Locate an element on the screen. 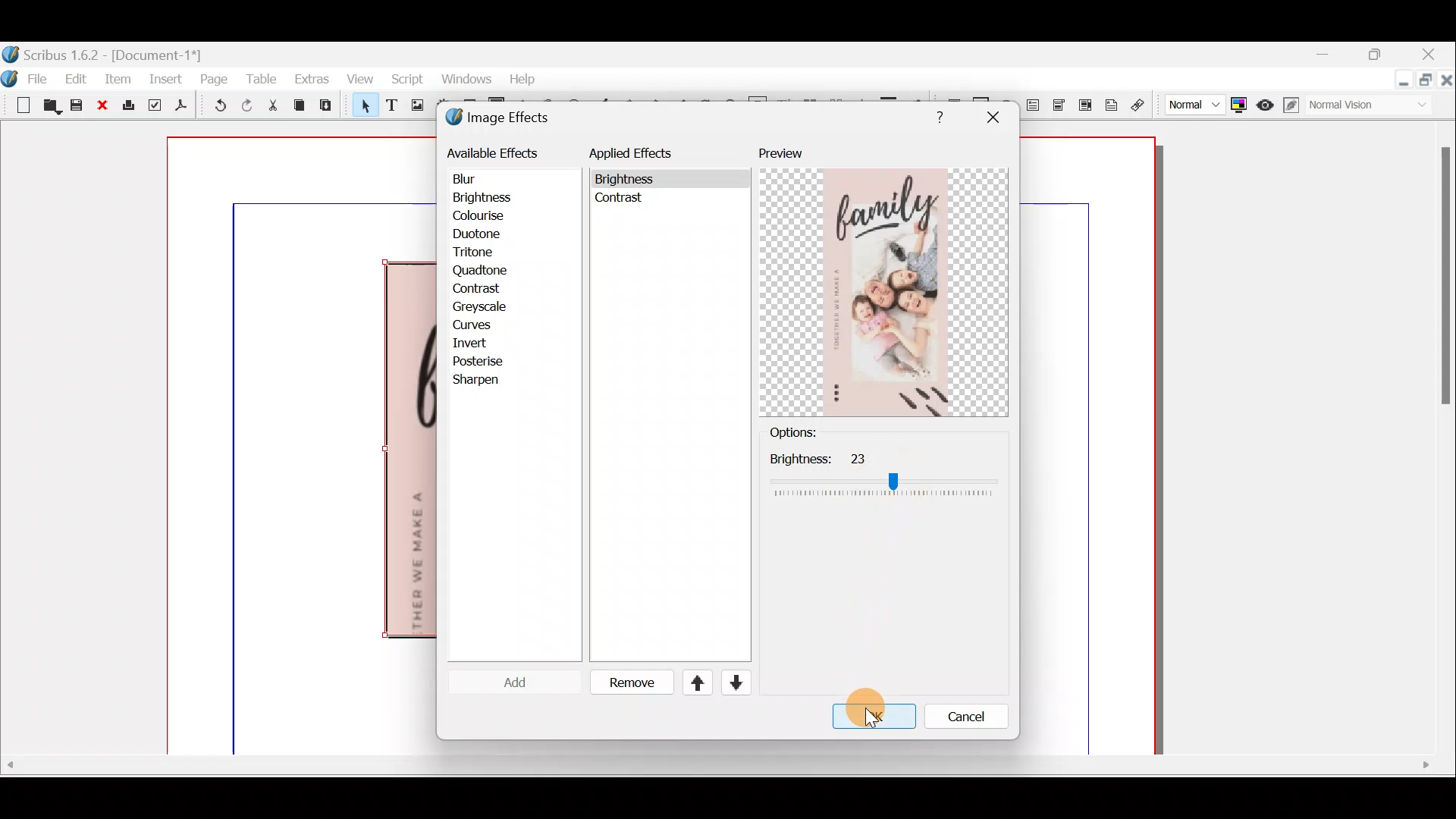 Image resolution: width=1456 pixels, height=819 pixels. Link annotation is located at coordinates (1140, 105).